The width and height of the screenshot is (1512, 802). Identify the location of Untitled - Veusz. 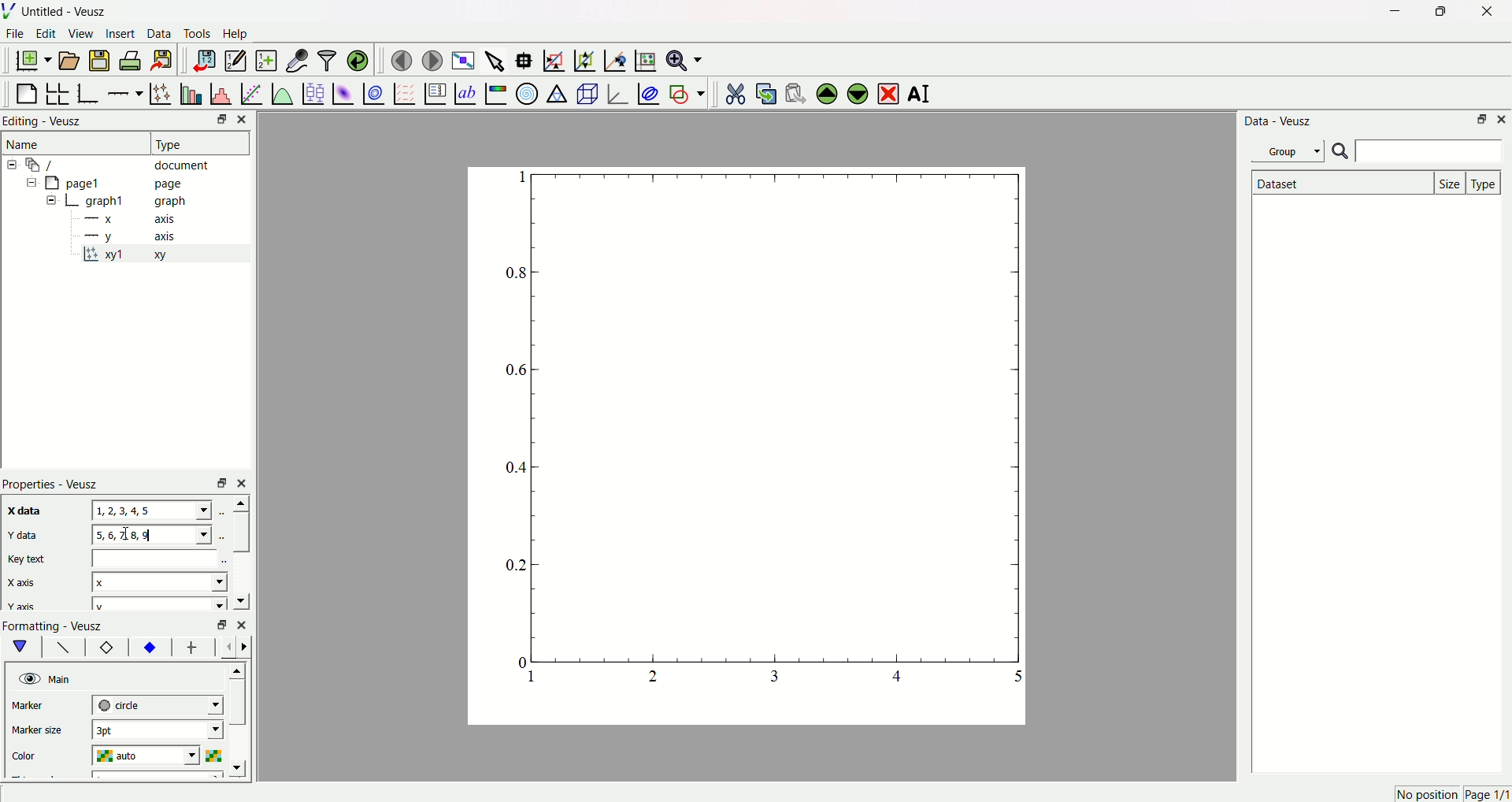
(67, 13).